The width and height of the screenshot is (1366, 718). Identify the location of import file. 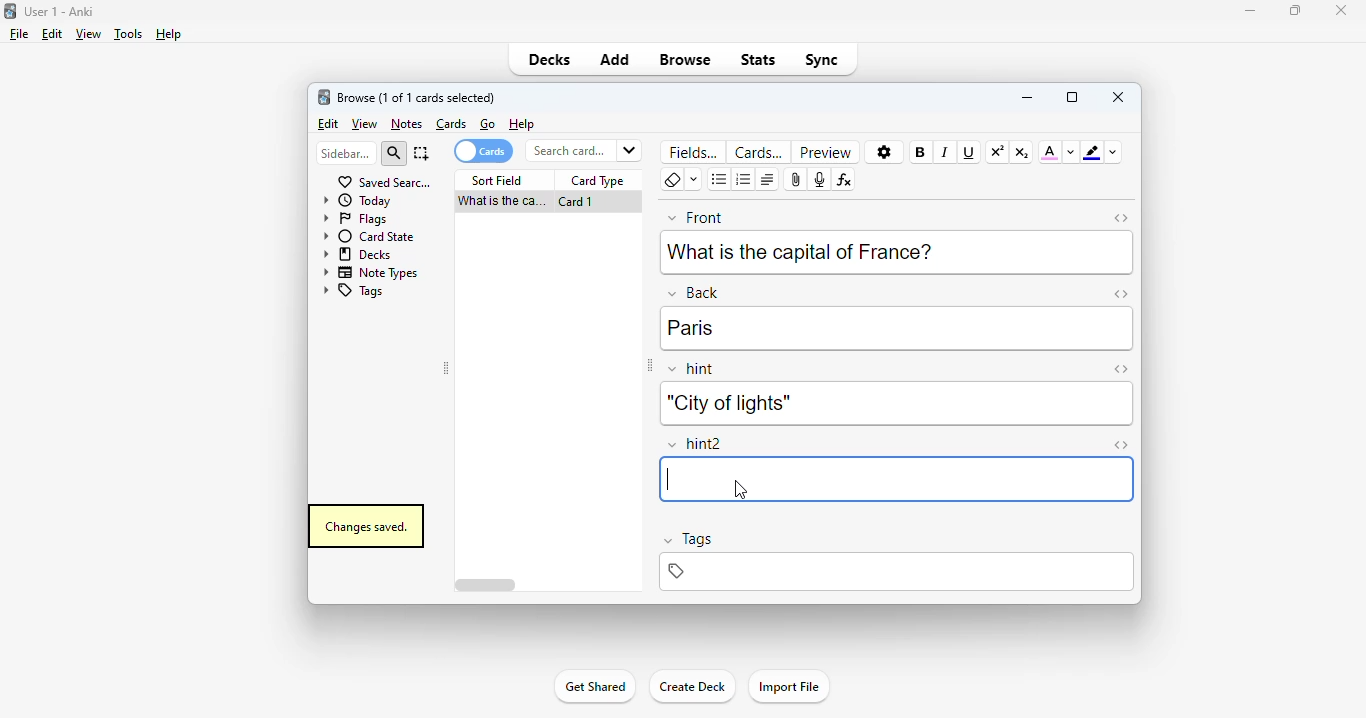
(788, 687).